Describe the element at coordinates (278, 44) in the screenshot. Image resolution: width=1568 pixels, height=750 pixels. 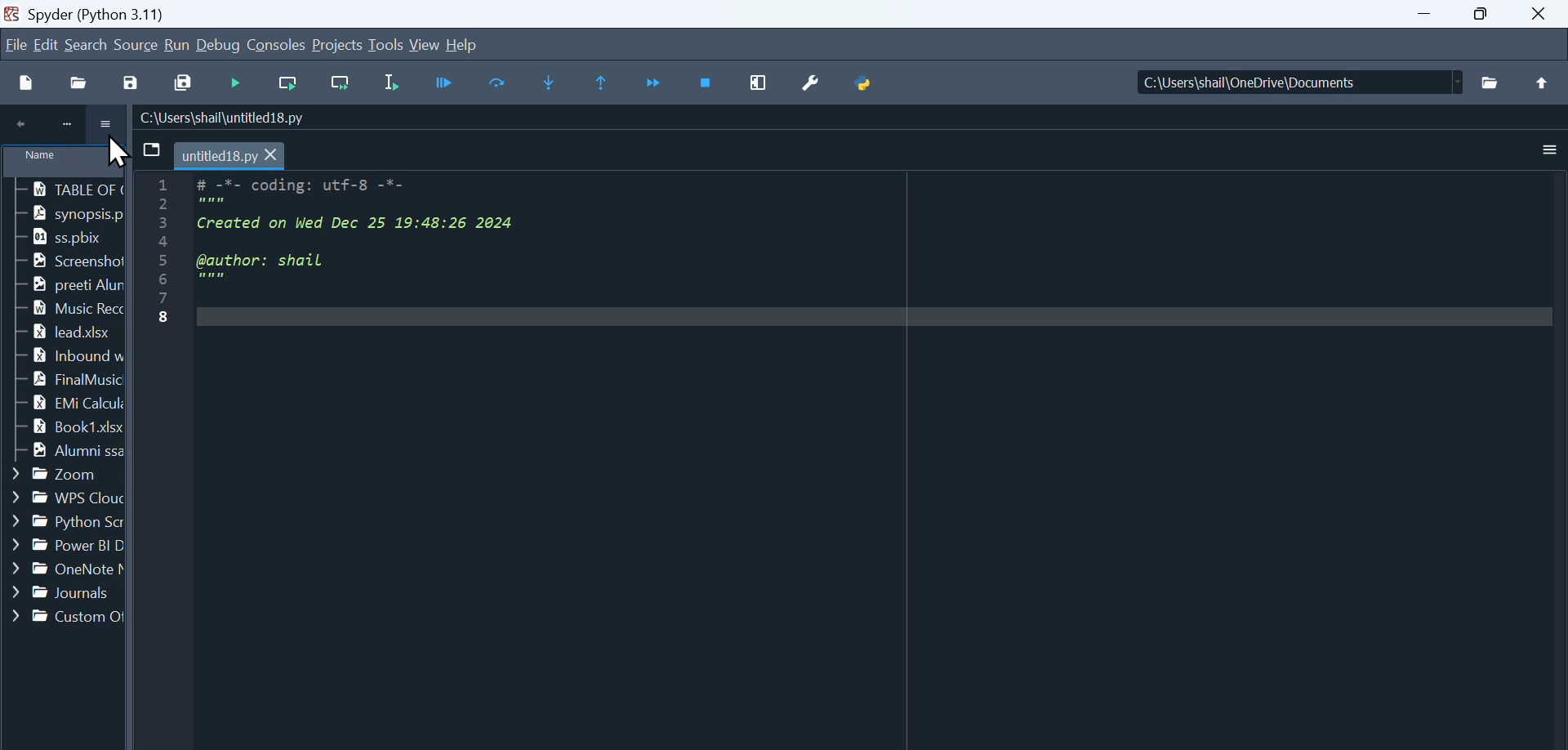
I see `Consoles` at that location.